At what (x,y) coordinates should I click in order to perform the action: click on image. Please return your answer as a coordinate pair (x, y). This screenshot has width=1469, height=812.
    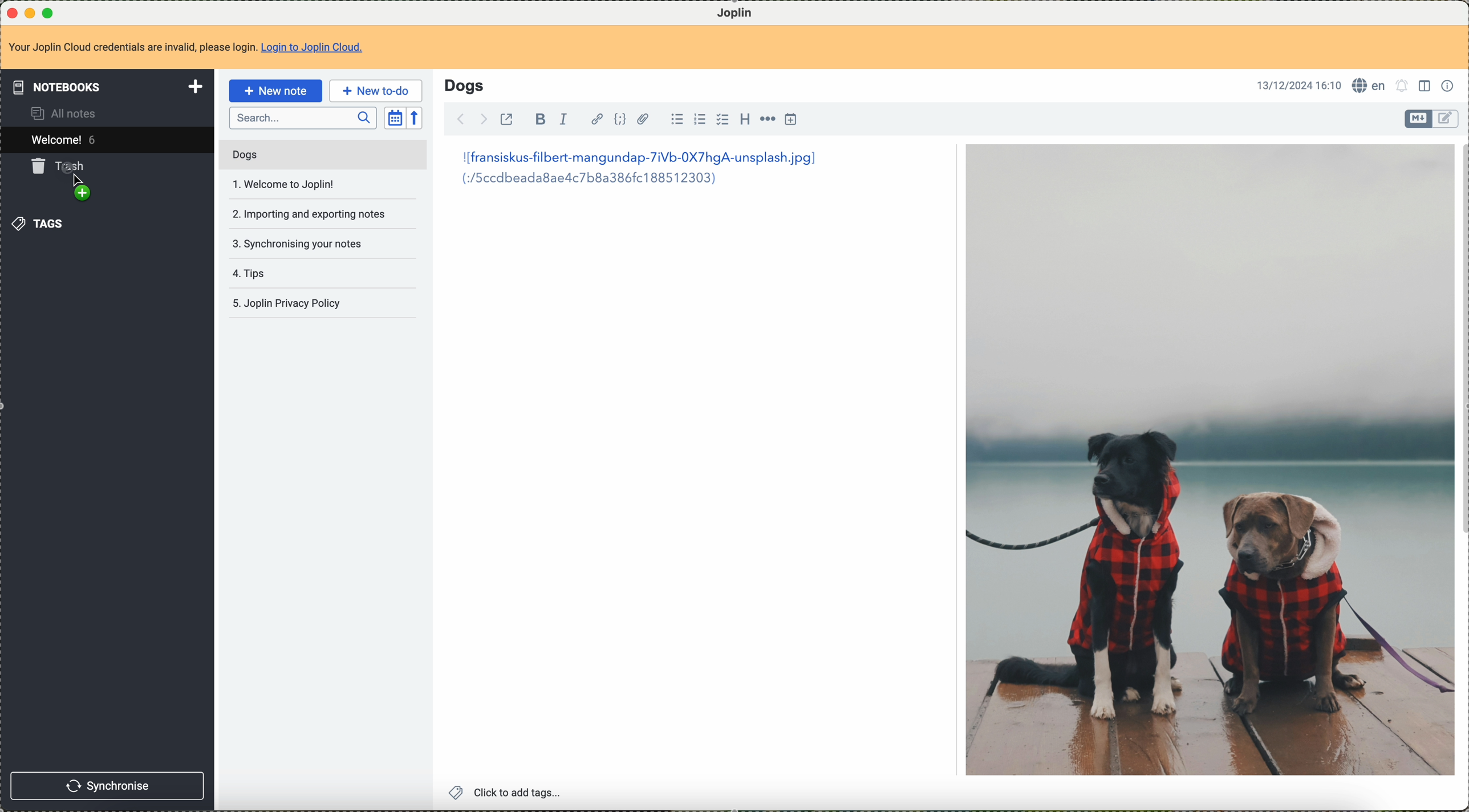
    Looking at the image, I should click on (1208, 460).